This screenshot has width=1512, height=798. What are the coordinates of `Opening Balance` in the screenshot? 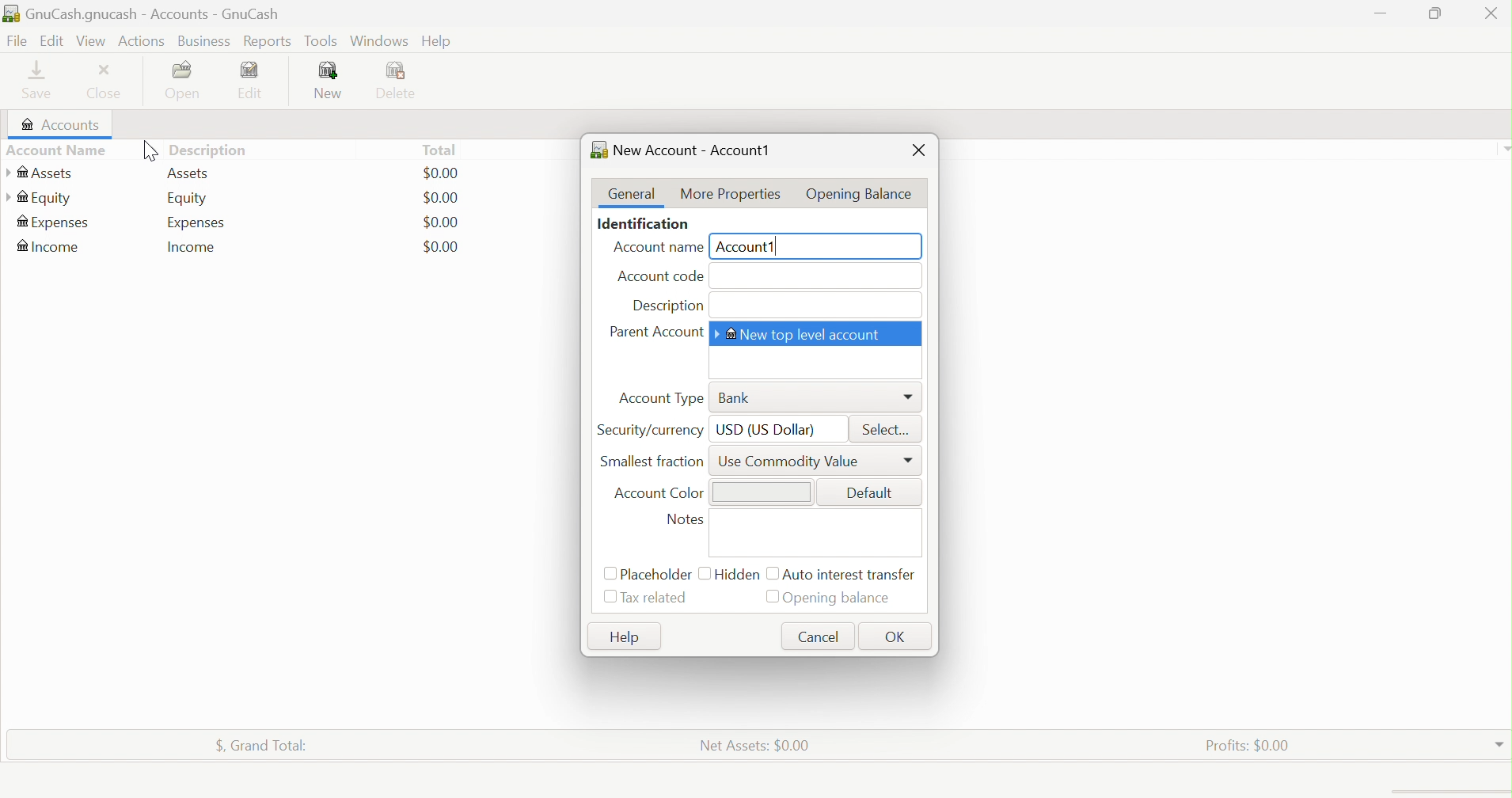 It's located at (861, 191).